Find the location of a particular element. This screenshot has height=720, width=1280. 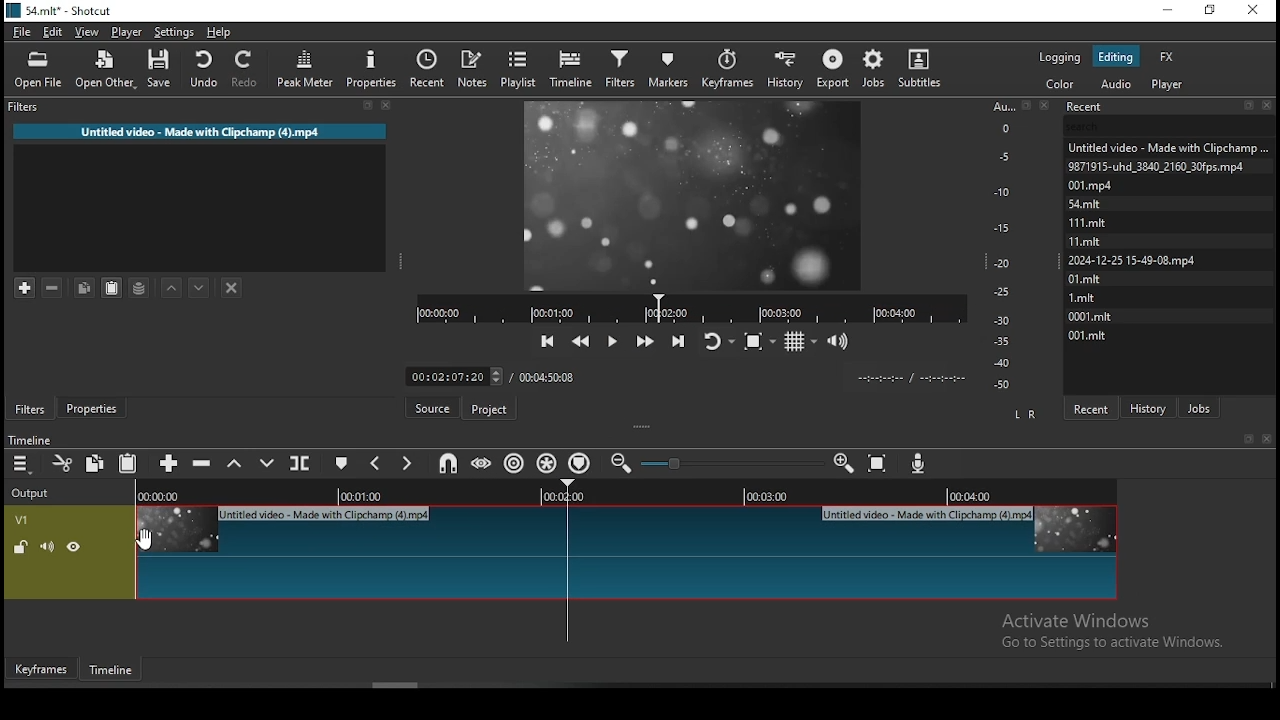

undo is located at coordinates (202, 68).